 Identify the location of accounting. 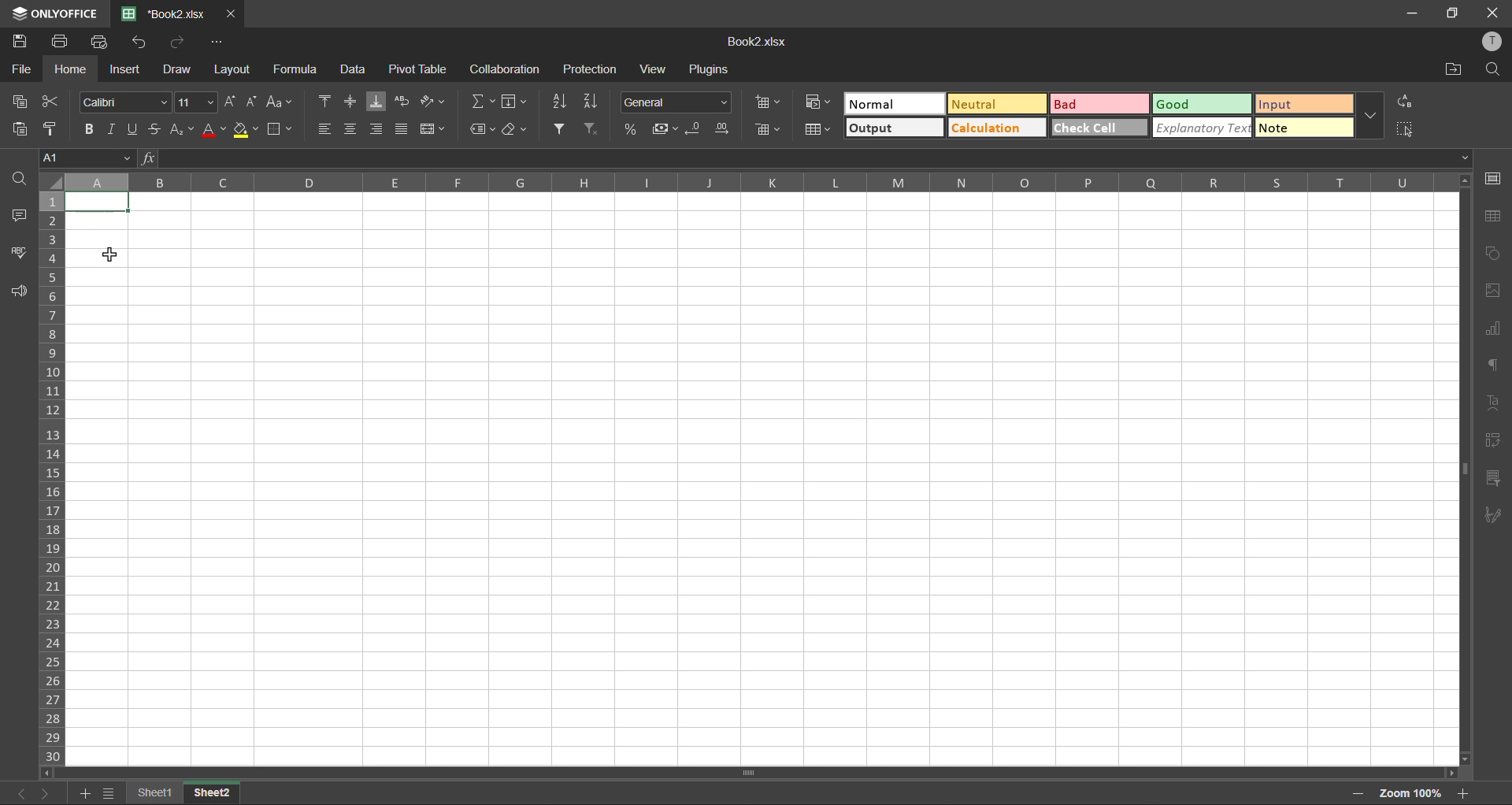
(668, 129).